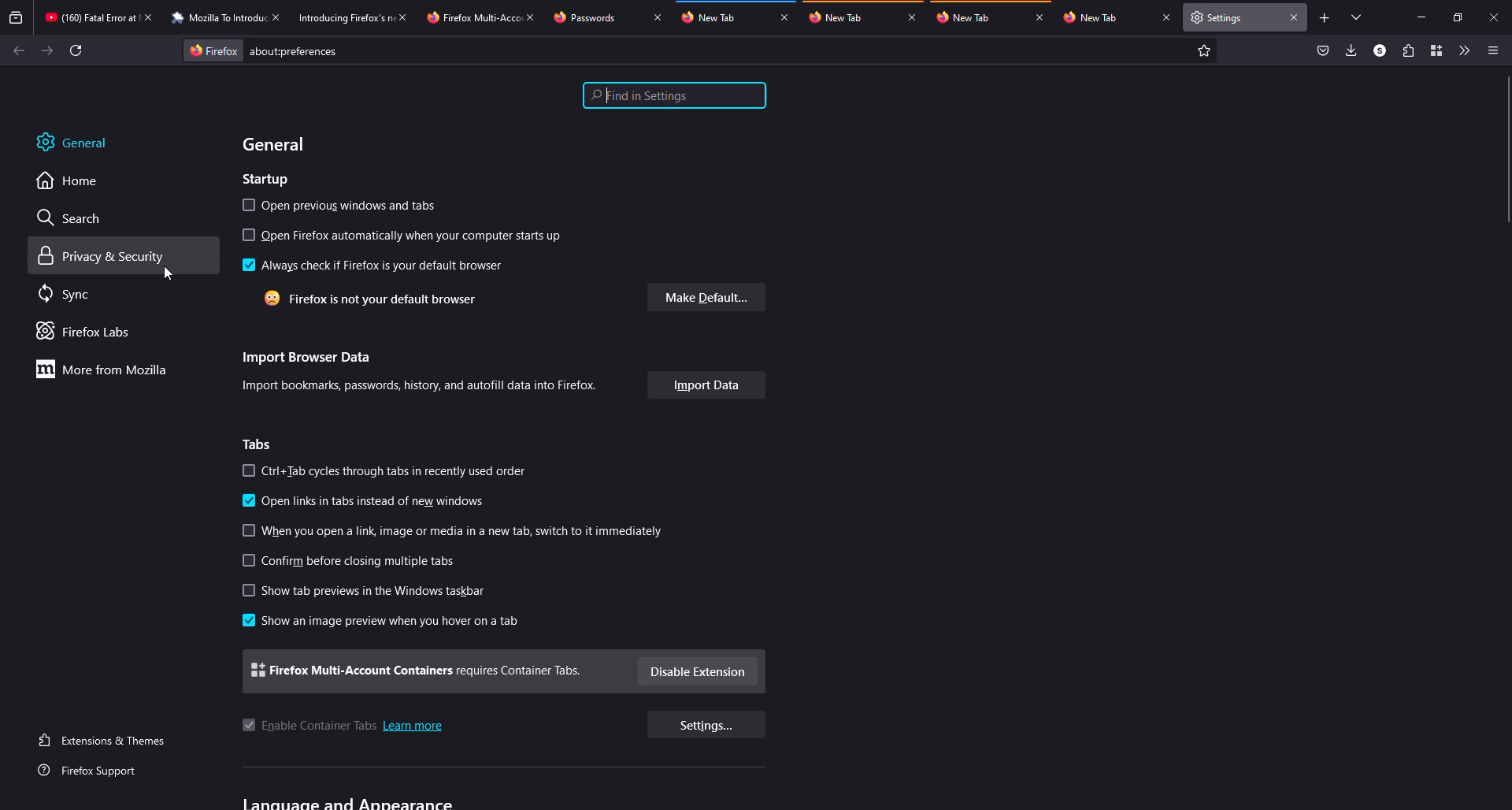 The width and height of the screenshot is (1512, 810). I want to click on selected, so click(246, 266).